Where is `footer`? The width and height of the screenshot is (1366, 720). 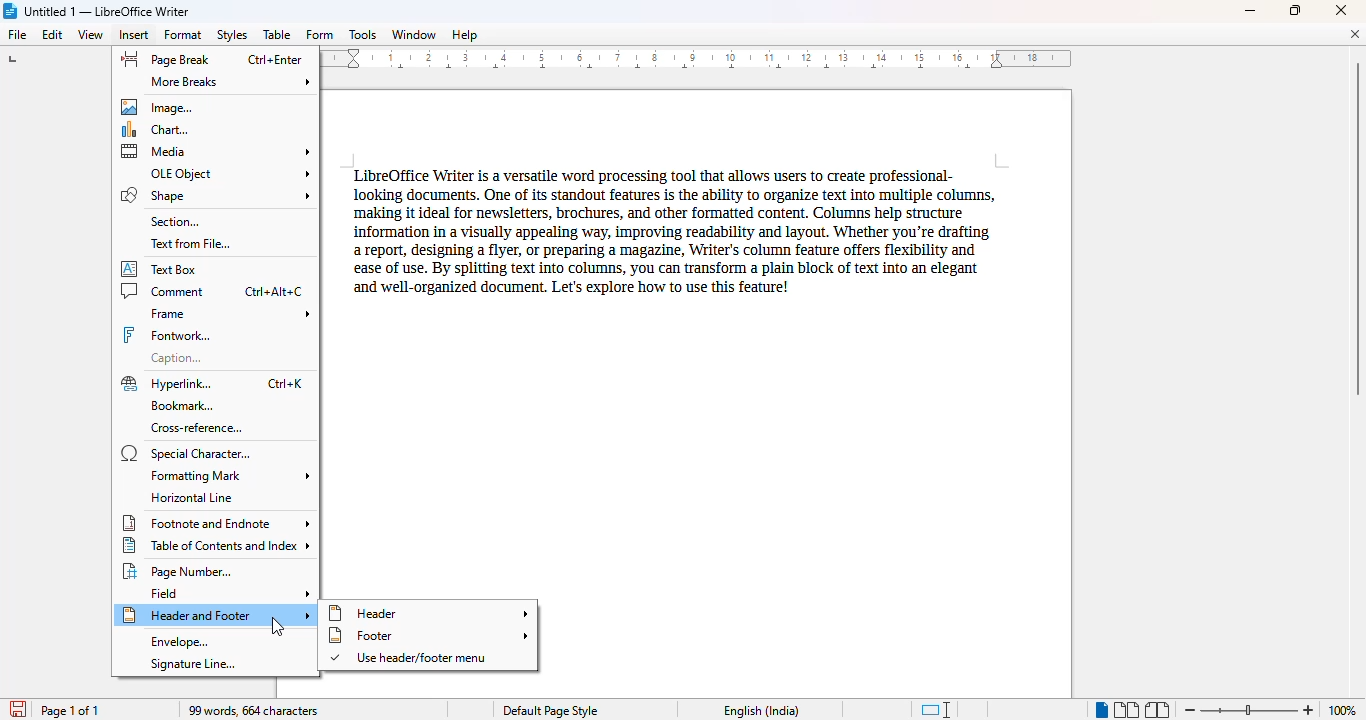 footer is located at coordinates (428, 636).